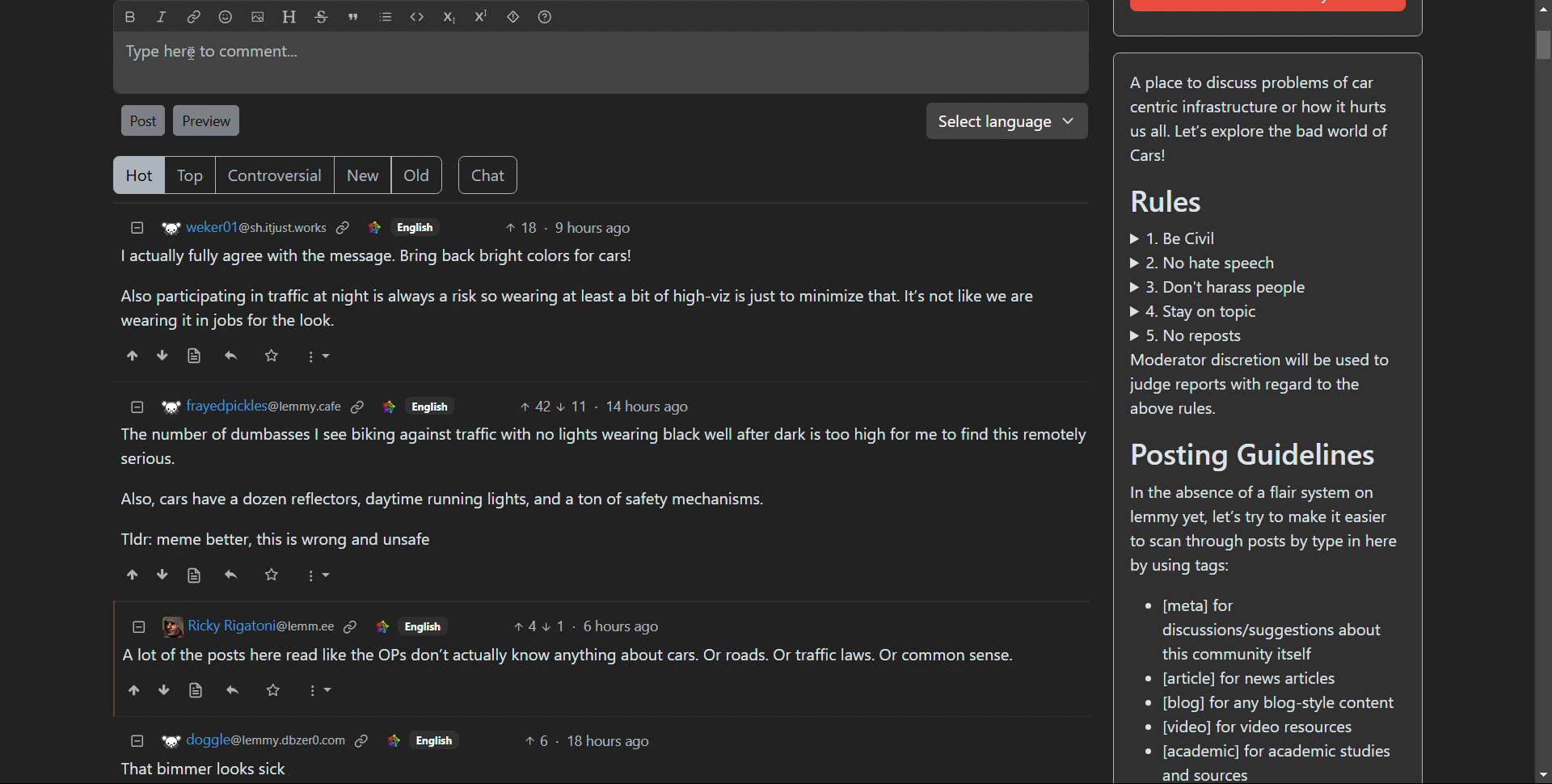 Image resolution: width=1552 pixels, height=784 pixels. Describe the element at coordinates (592, 228) in the screenshot. I see `9 hours ago` at that location.